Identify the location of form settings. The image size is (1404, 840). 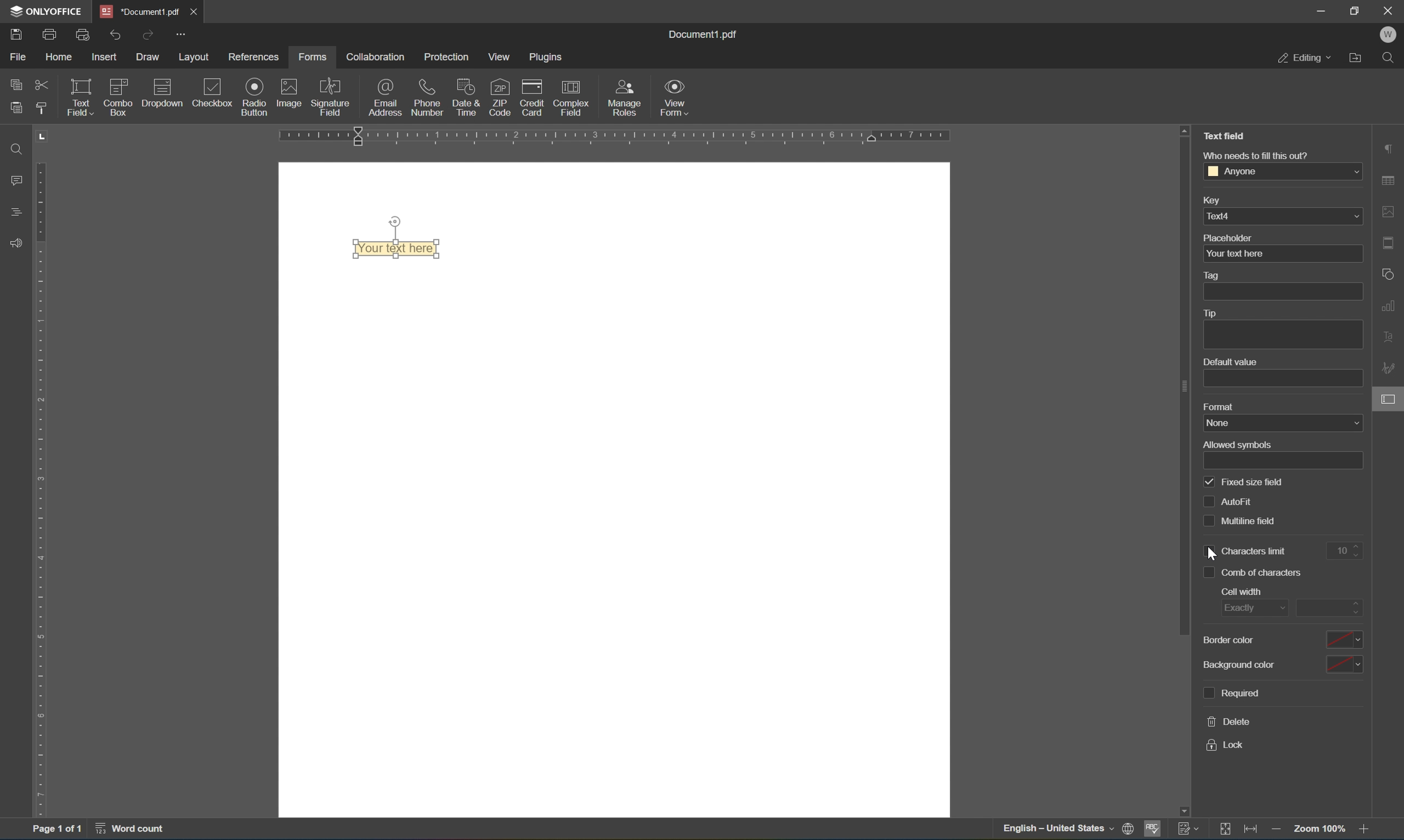
(1342, 424).